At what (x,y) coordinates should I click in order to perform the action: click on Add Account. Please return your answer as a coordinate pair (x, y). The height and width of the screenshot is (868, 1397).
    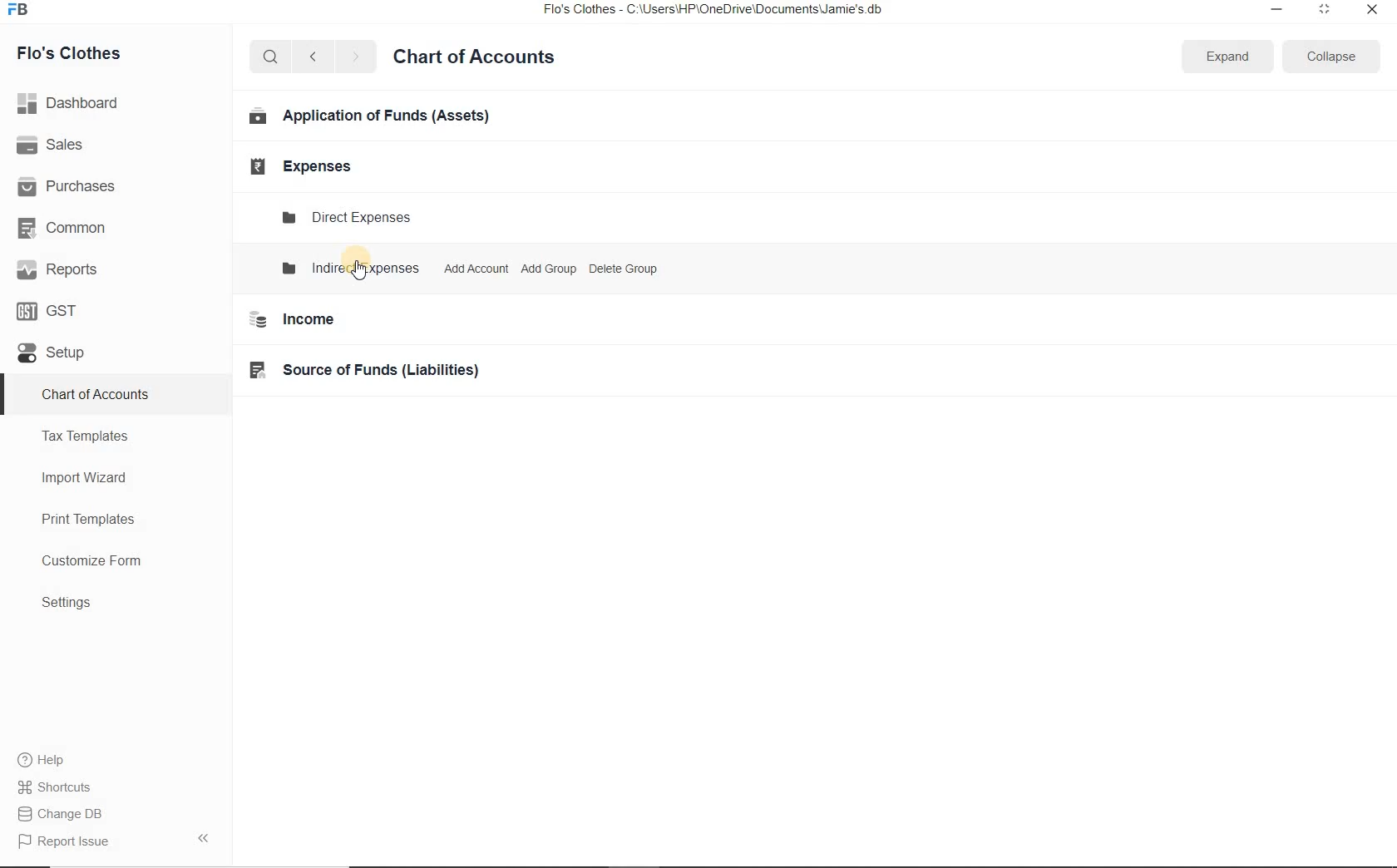
    Looking at the image, I should click on (473, 269).